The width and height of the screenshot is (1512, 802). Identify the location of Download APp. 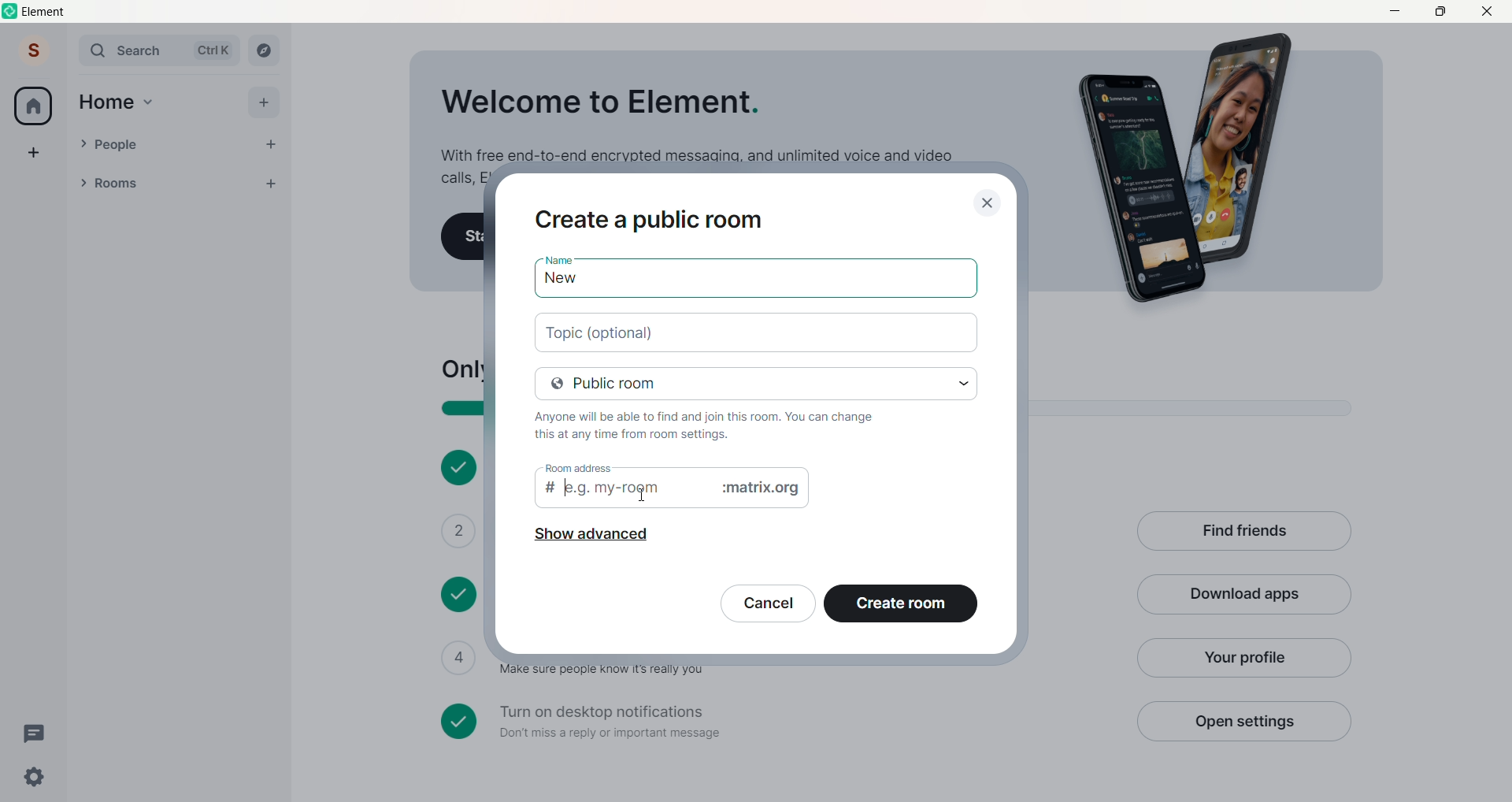
(1244, 596).